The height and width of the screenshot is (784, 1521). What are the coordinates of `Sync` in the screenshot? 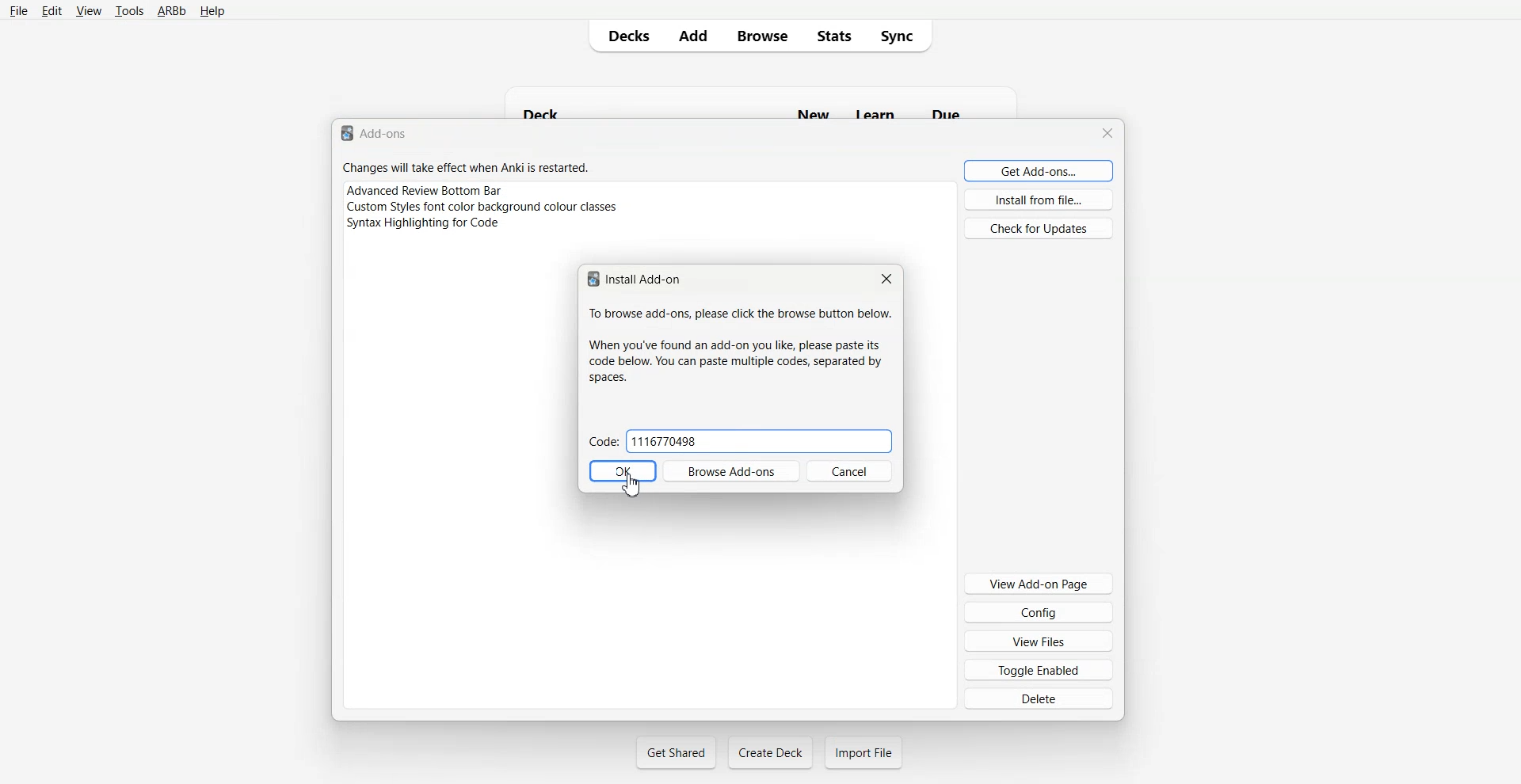 It's located at (904, 36).